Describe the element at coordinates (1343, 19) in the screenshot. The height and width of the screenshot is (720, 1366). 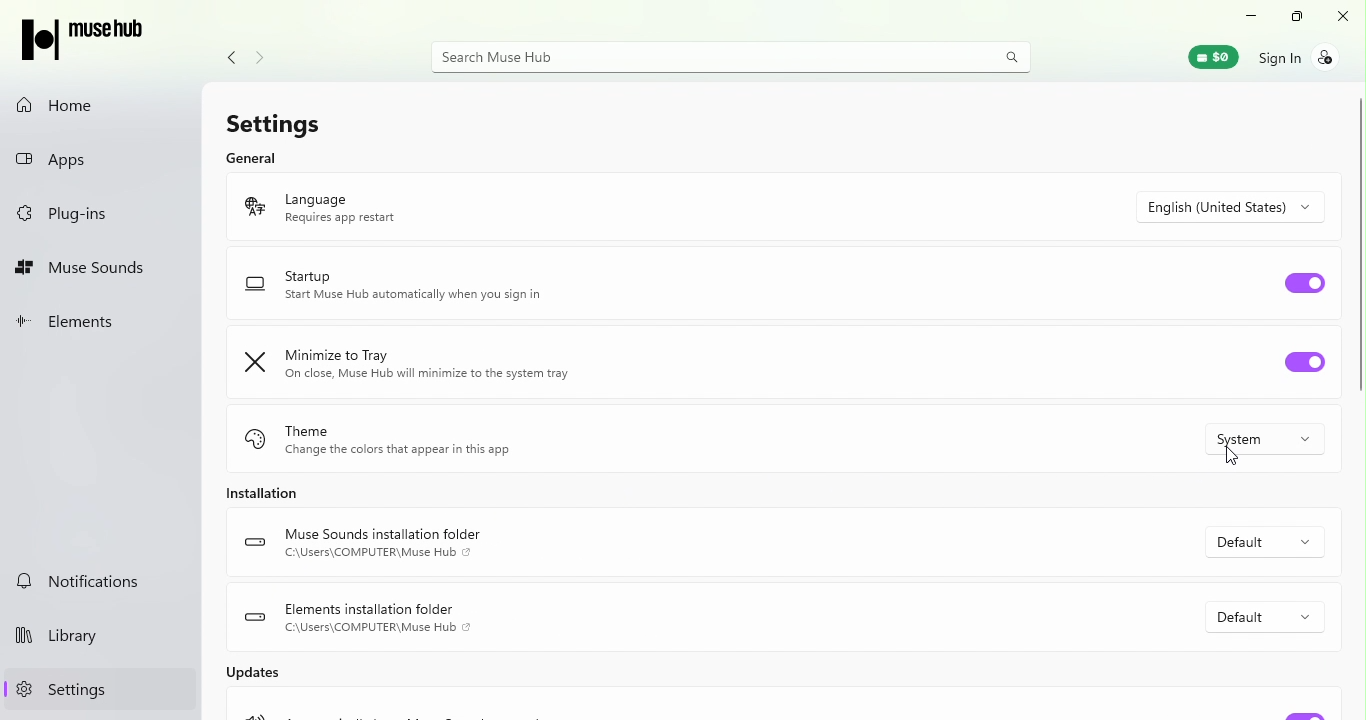
I see `Close` at that location.